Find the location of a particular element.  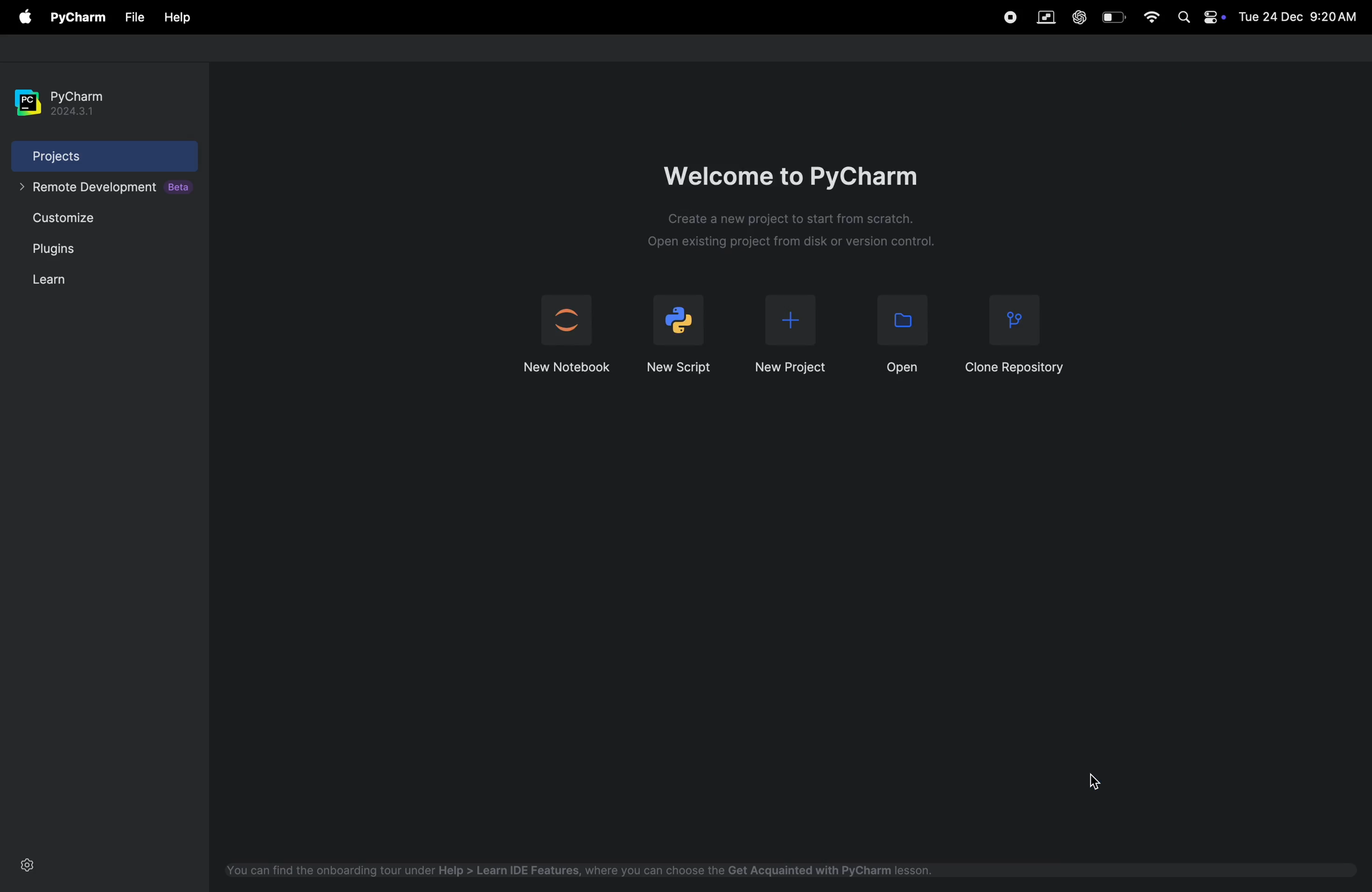

settings is located at coordinates (28, 865).